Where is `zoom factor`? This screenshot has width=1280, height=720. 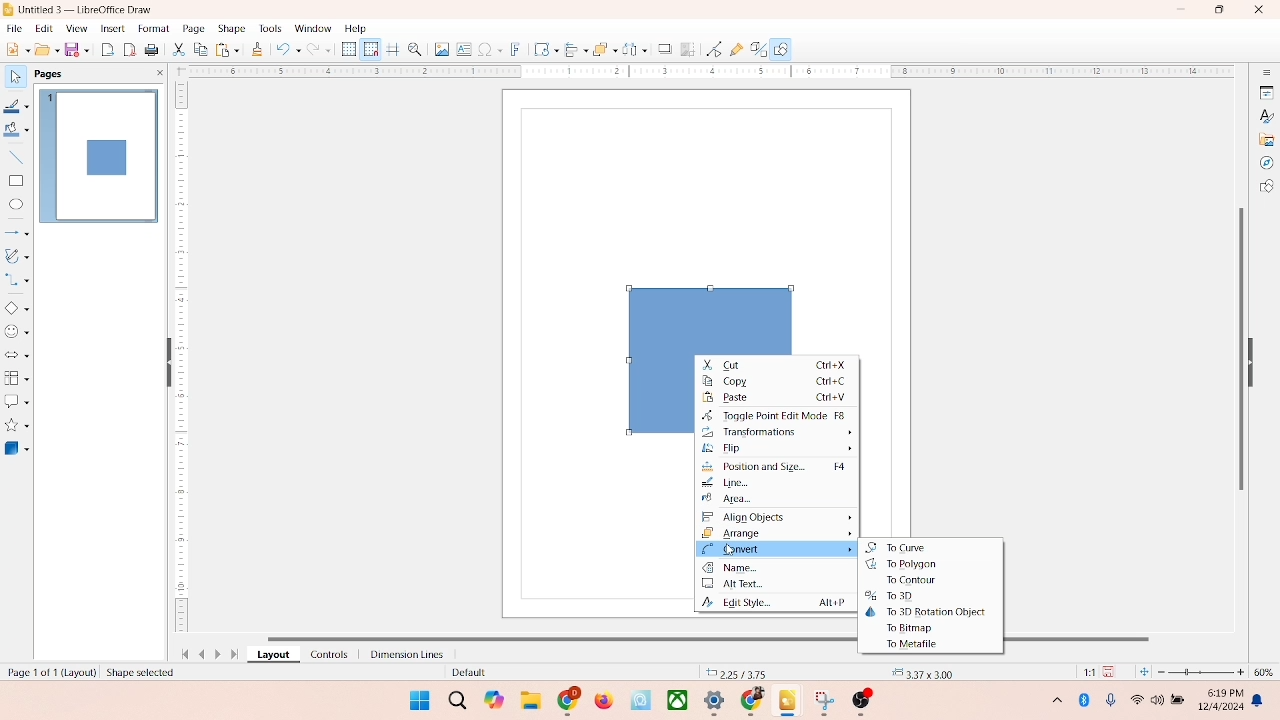
zoom factor is located at coordinates (1202, 672).